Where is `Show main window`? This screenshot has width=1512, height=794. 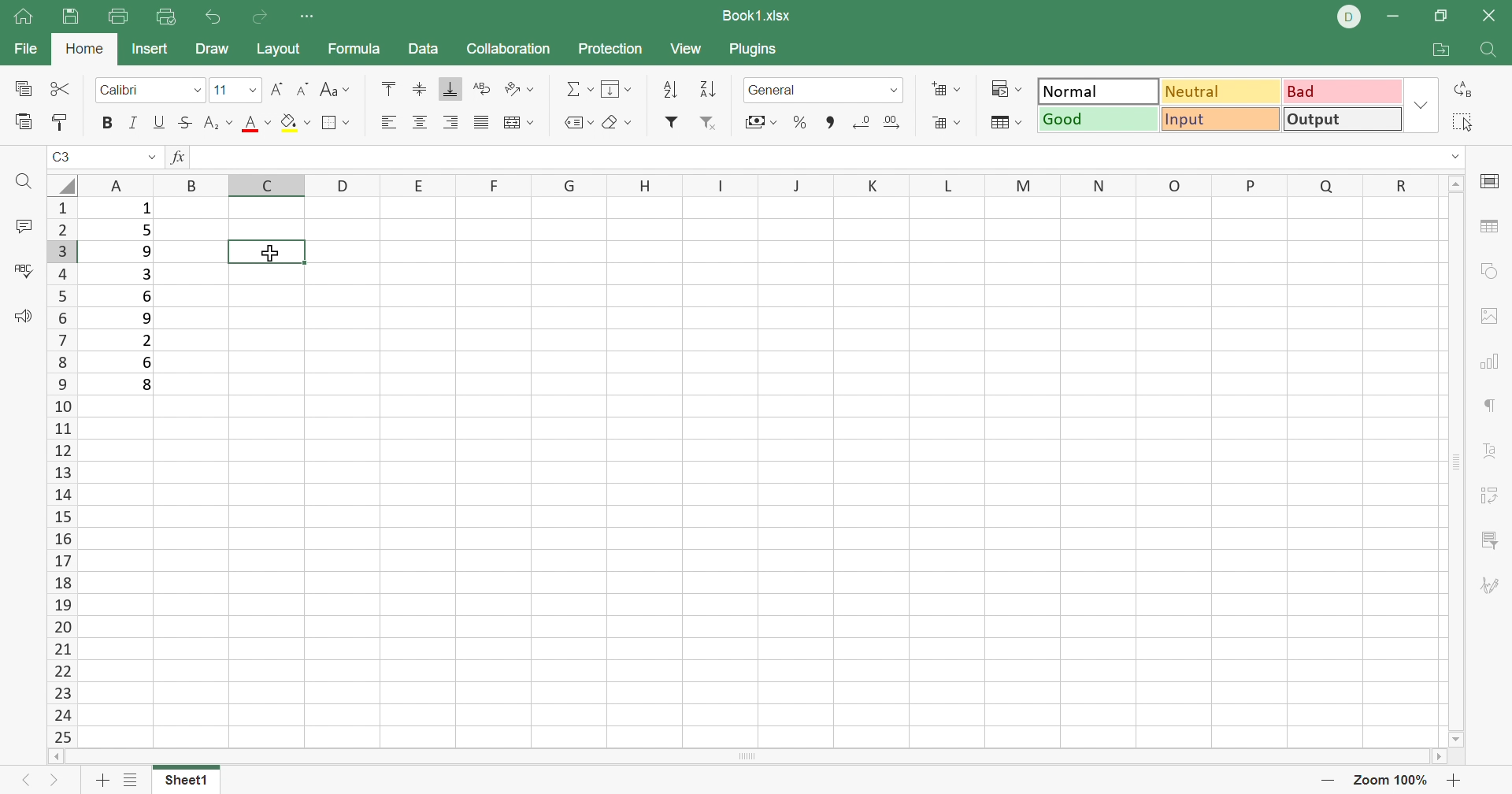
Show main window is located at coordinates (21, 15).